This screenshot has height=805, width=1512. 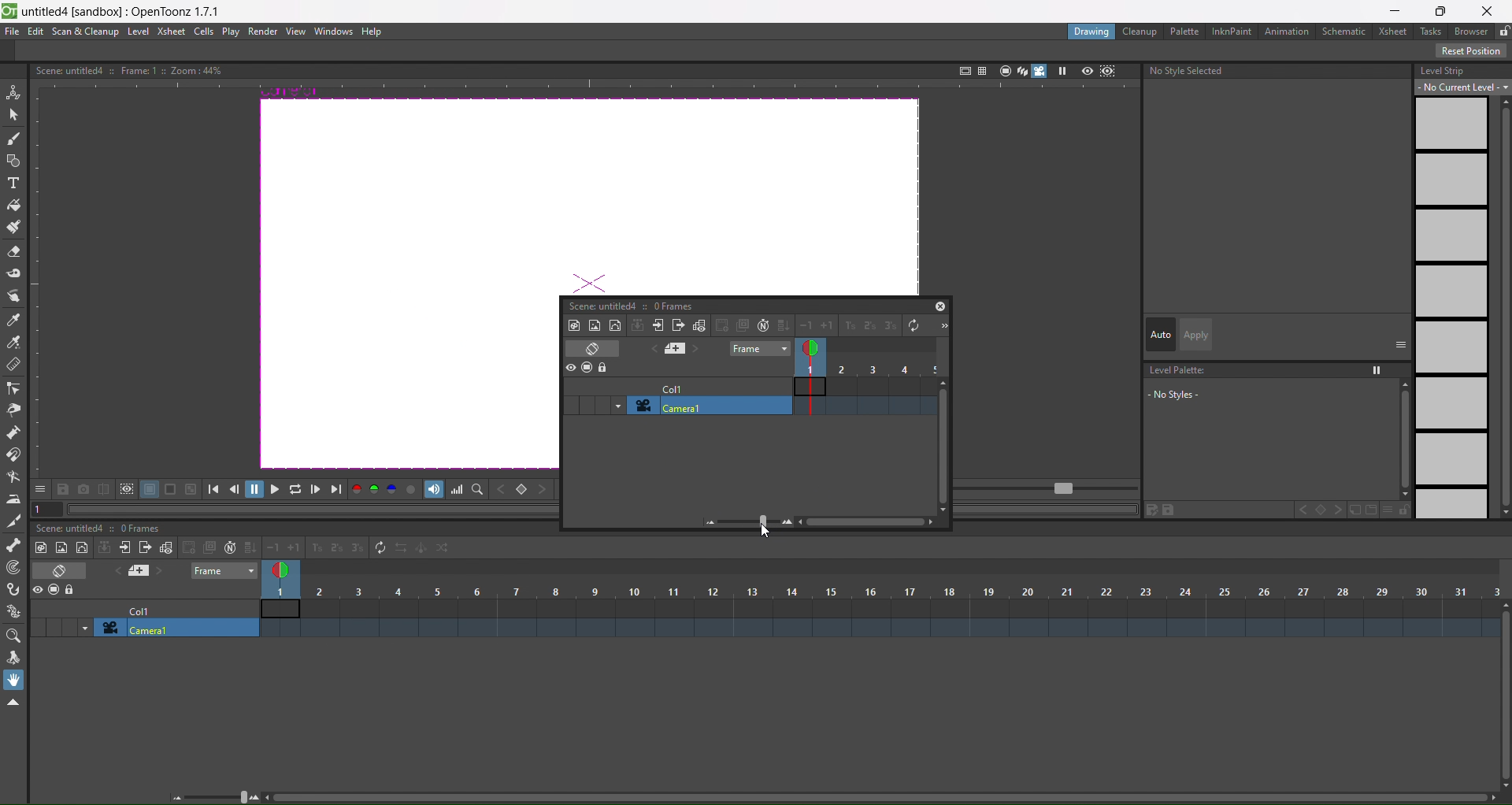 What do you see at coordinates (1443, 10) in the screenshot?
I see `maximize` at bounding box center [1443, 10].